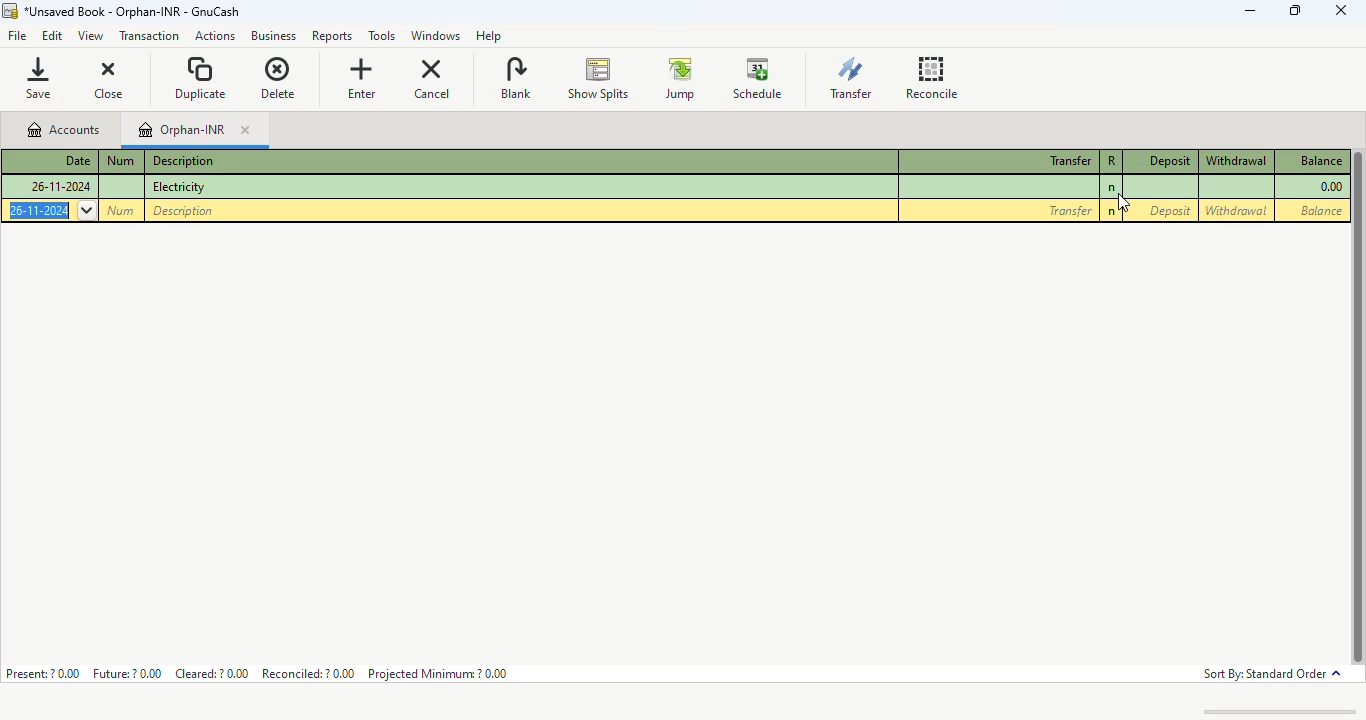  I want to click on delete, so click(278, 78).